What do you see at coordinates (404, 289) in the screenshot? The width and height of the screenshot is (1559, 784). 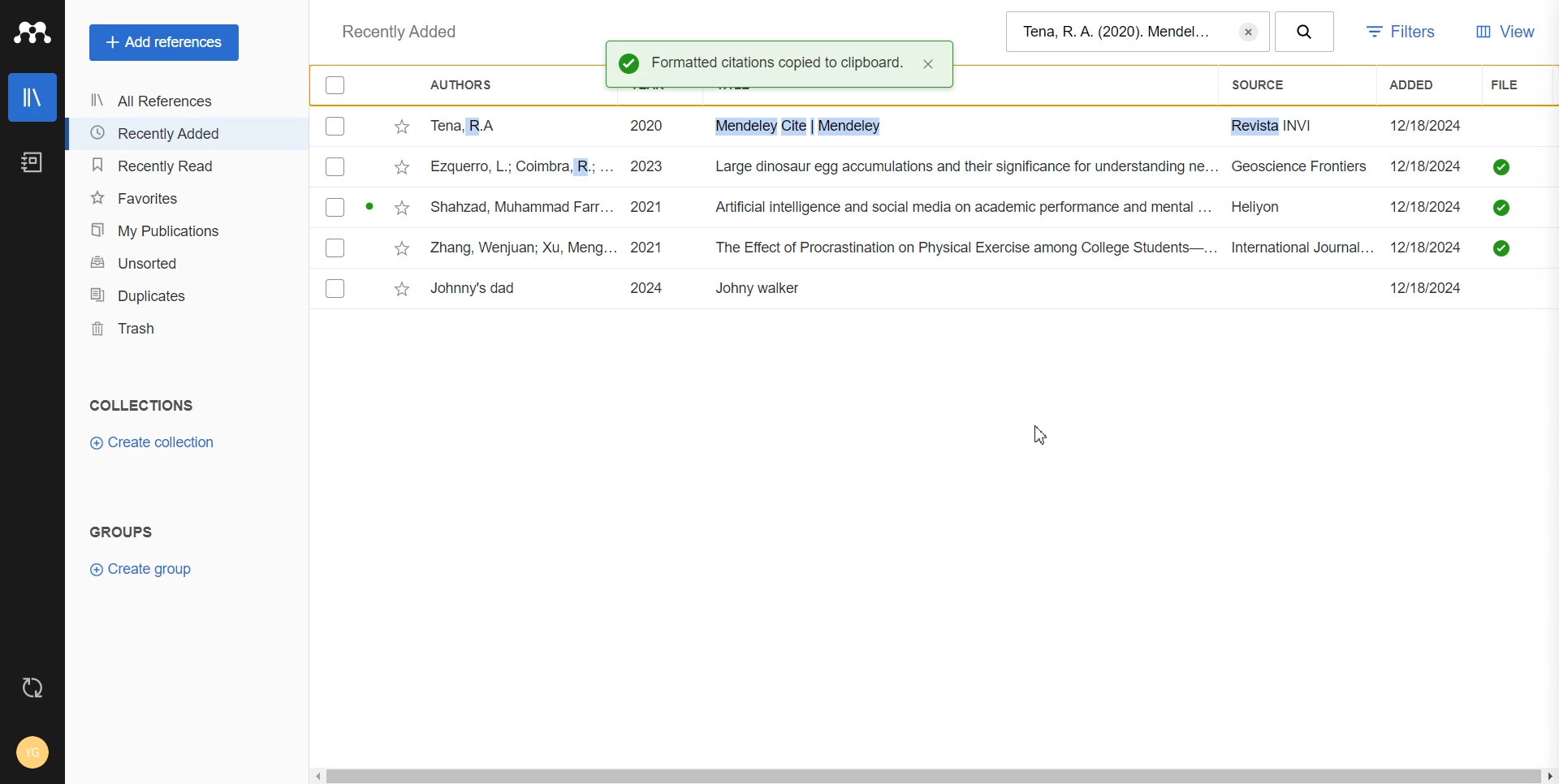 I see `Star` at bounding box center [404, 289].